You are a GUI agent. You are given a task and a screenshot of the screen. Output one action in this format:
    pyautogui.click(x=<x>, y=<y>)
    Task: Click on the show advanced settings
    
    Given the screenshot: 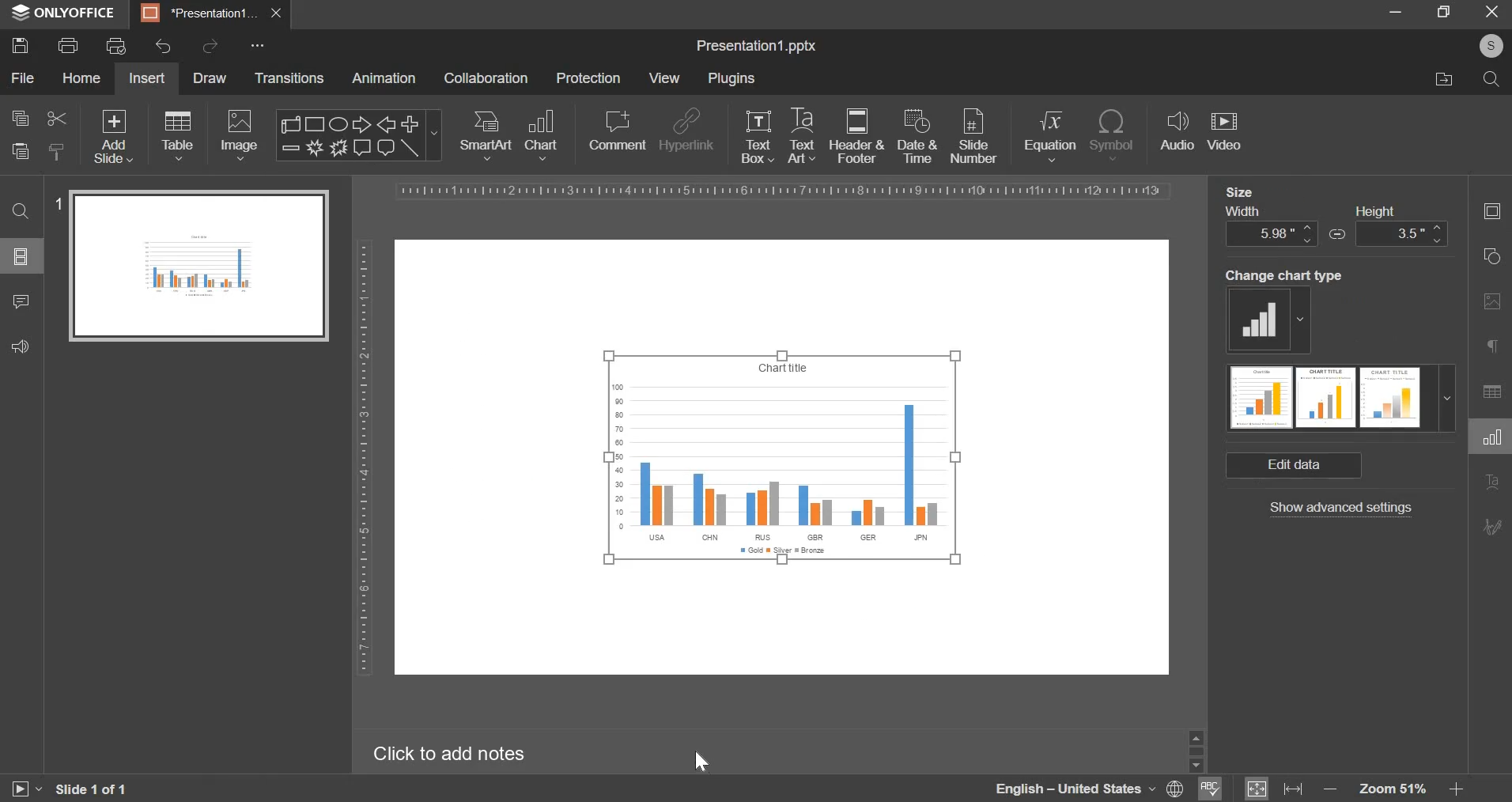 What is the action you would take?
    pyautogui.click(x=1338, y=511)
    